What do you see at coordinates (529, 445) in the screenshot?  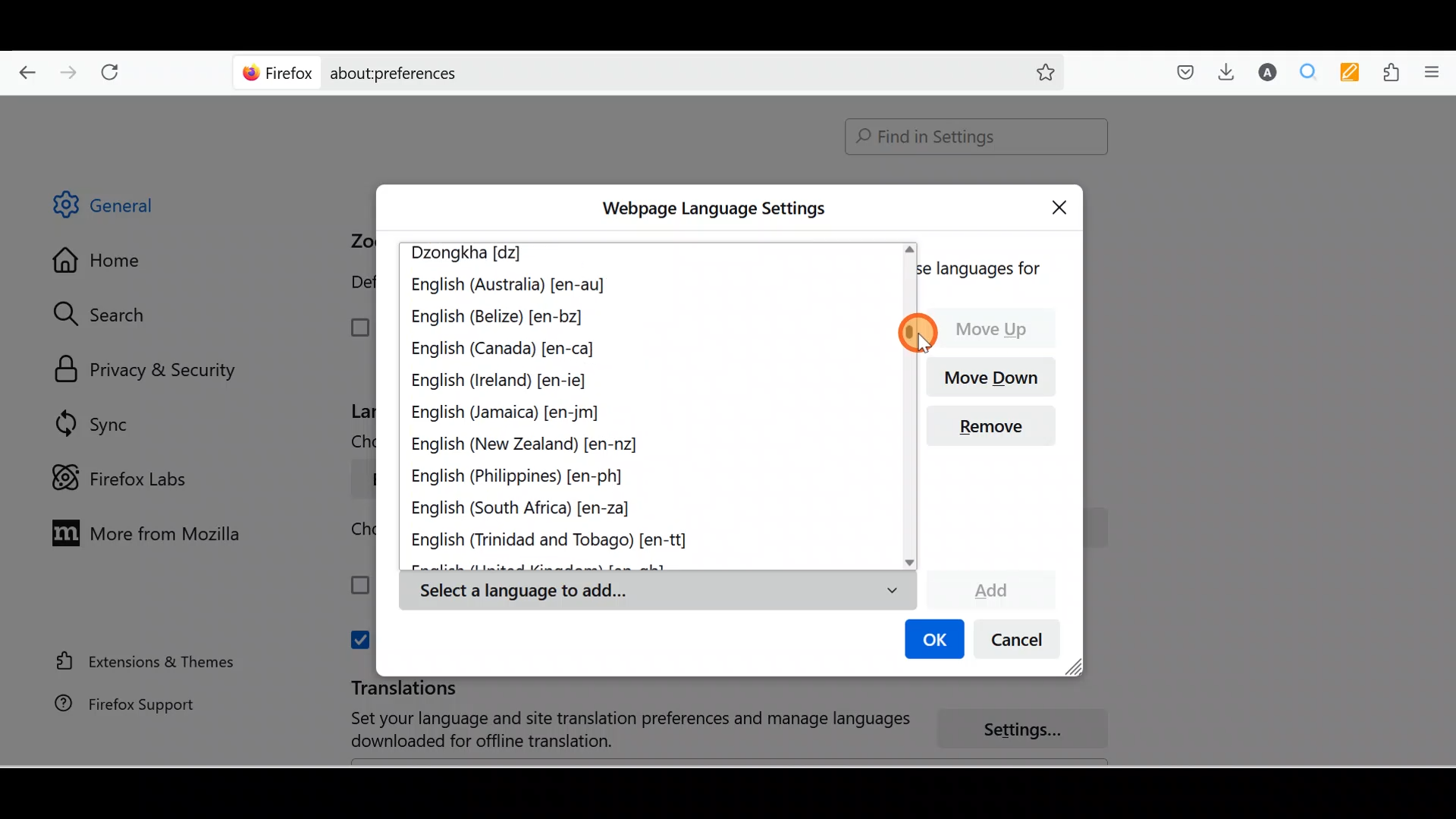 I see `English (New Zealand) [en-nz]` at bounding box center [529, 445].